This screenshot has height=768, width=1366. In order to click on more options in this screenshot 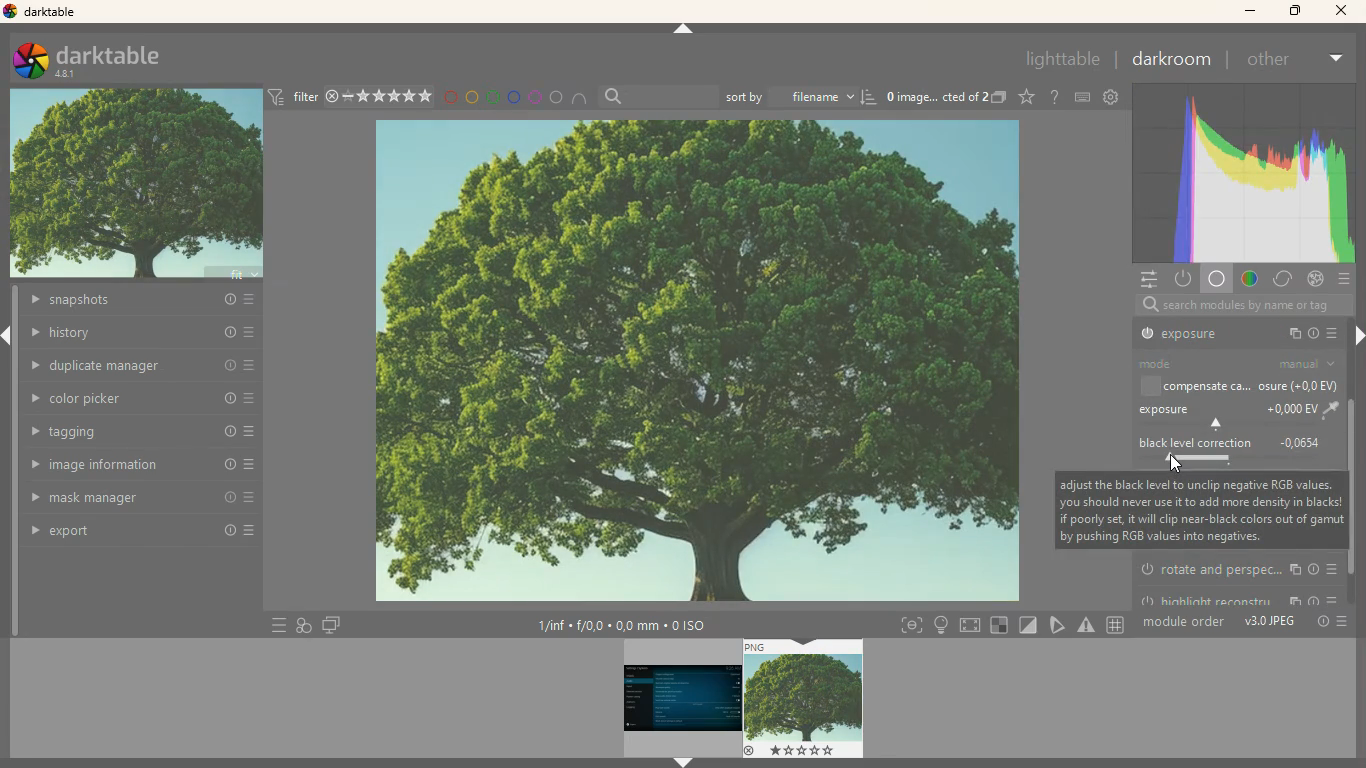, I will do `click(1344, 622)`.